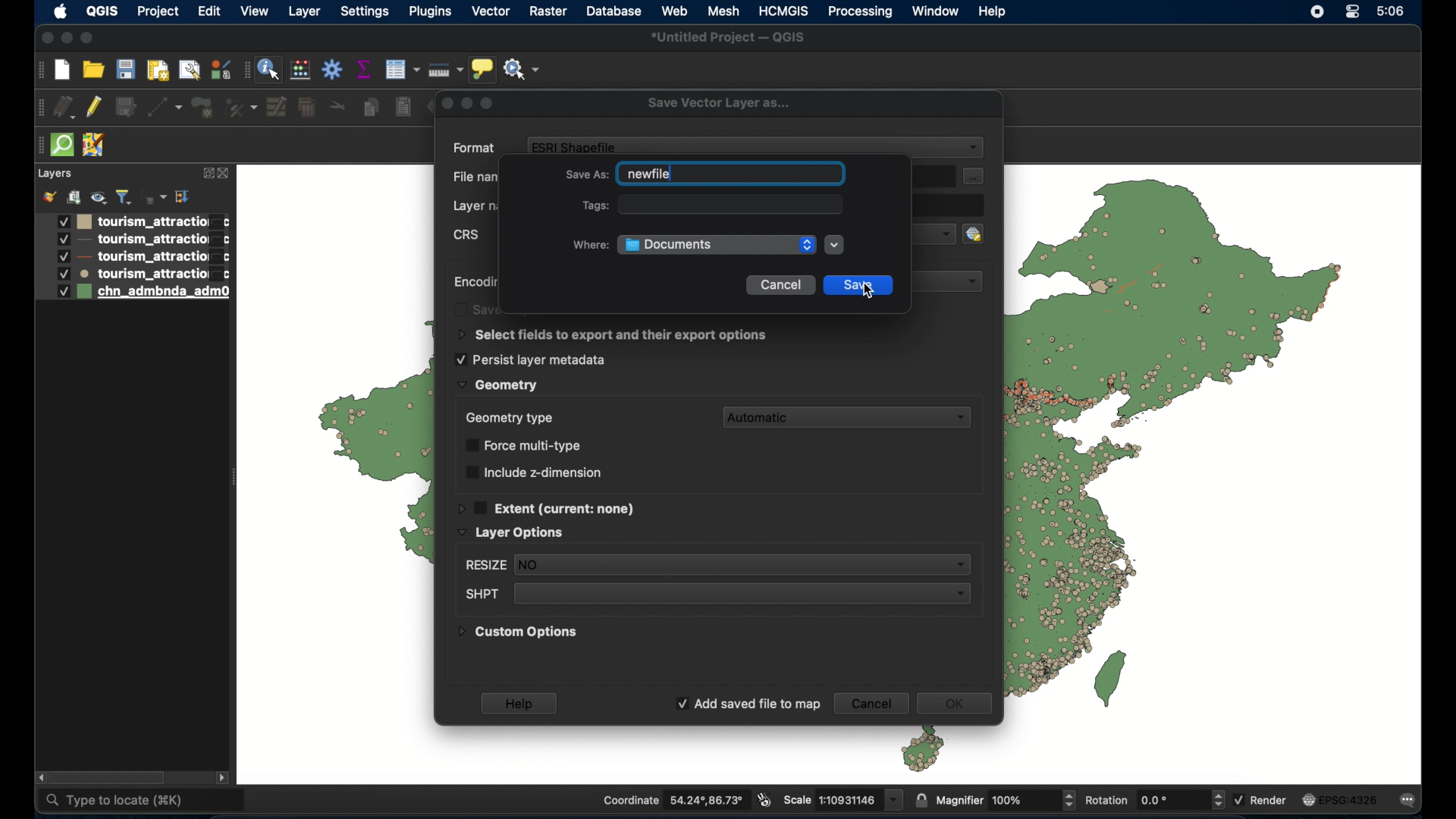  I want to click on plugins, so click(432, 12).